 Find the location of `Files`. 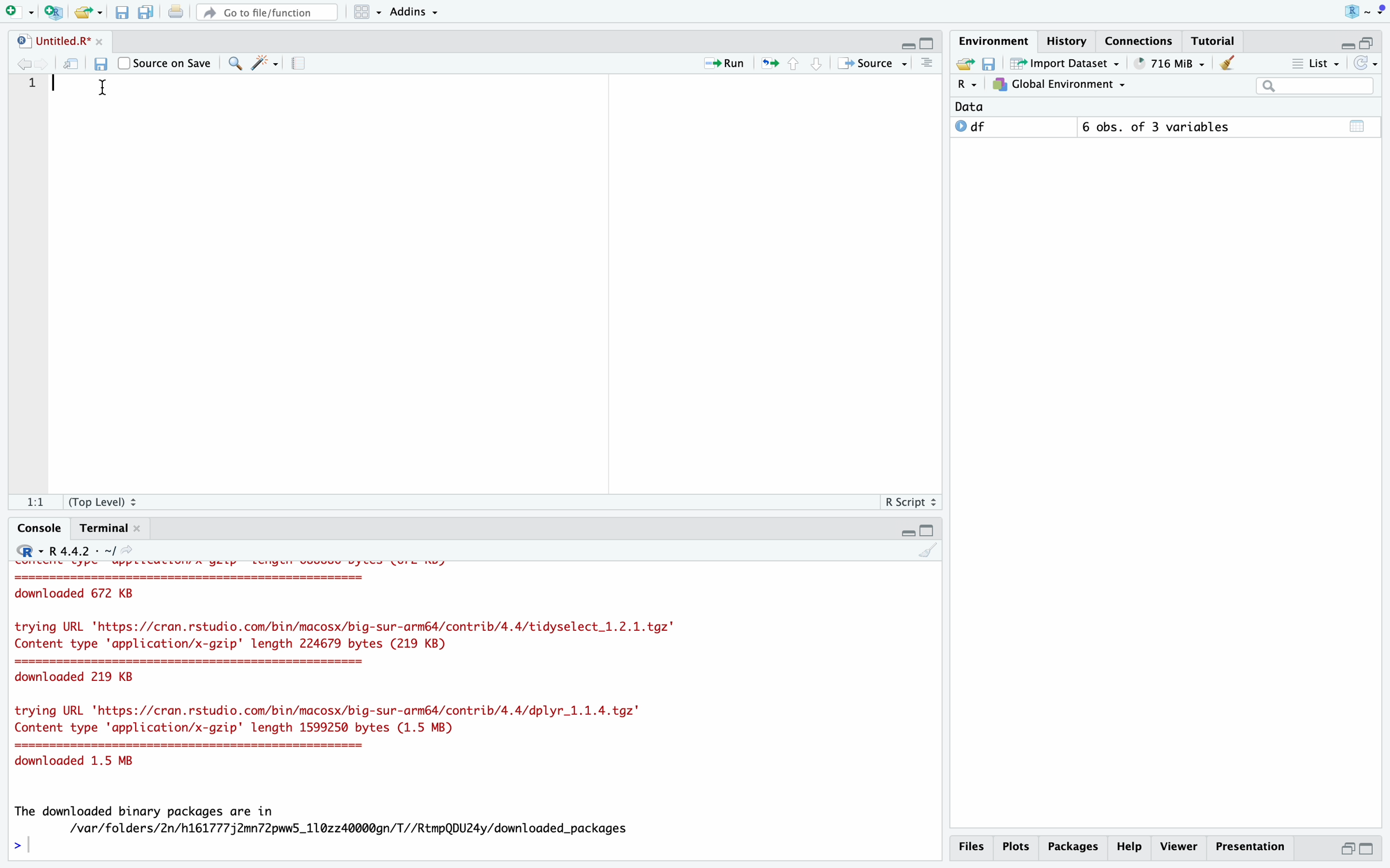

Files is located at coordinates (974, 847).